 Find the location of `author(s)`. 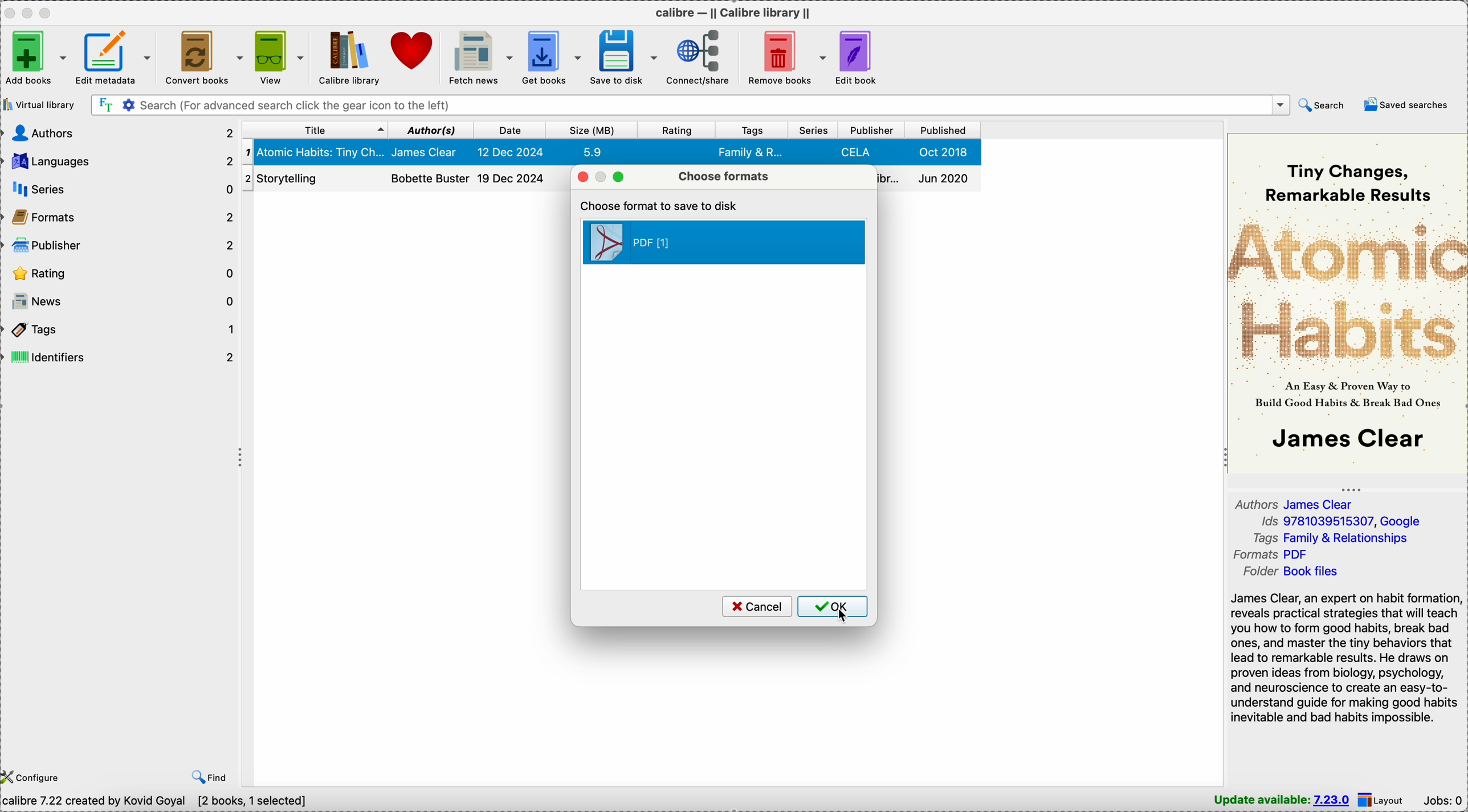

author(s) is located at coordinates (432, 129).